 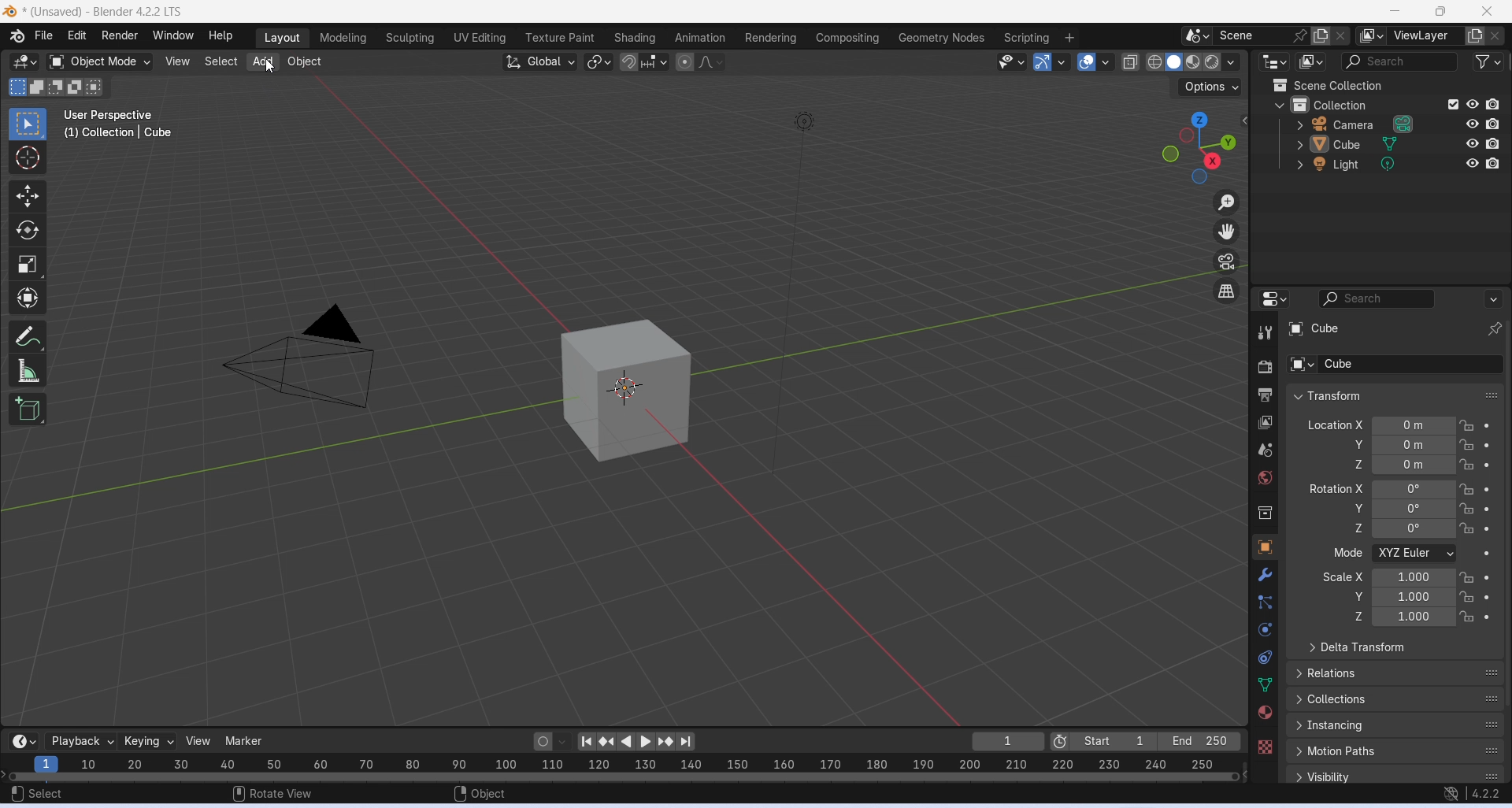 I want to click on cube, so click(x=626, y=391).